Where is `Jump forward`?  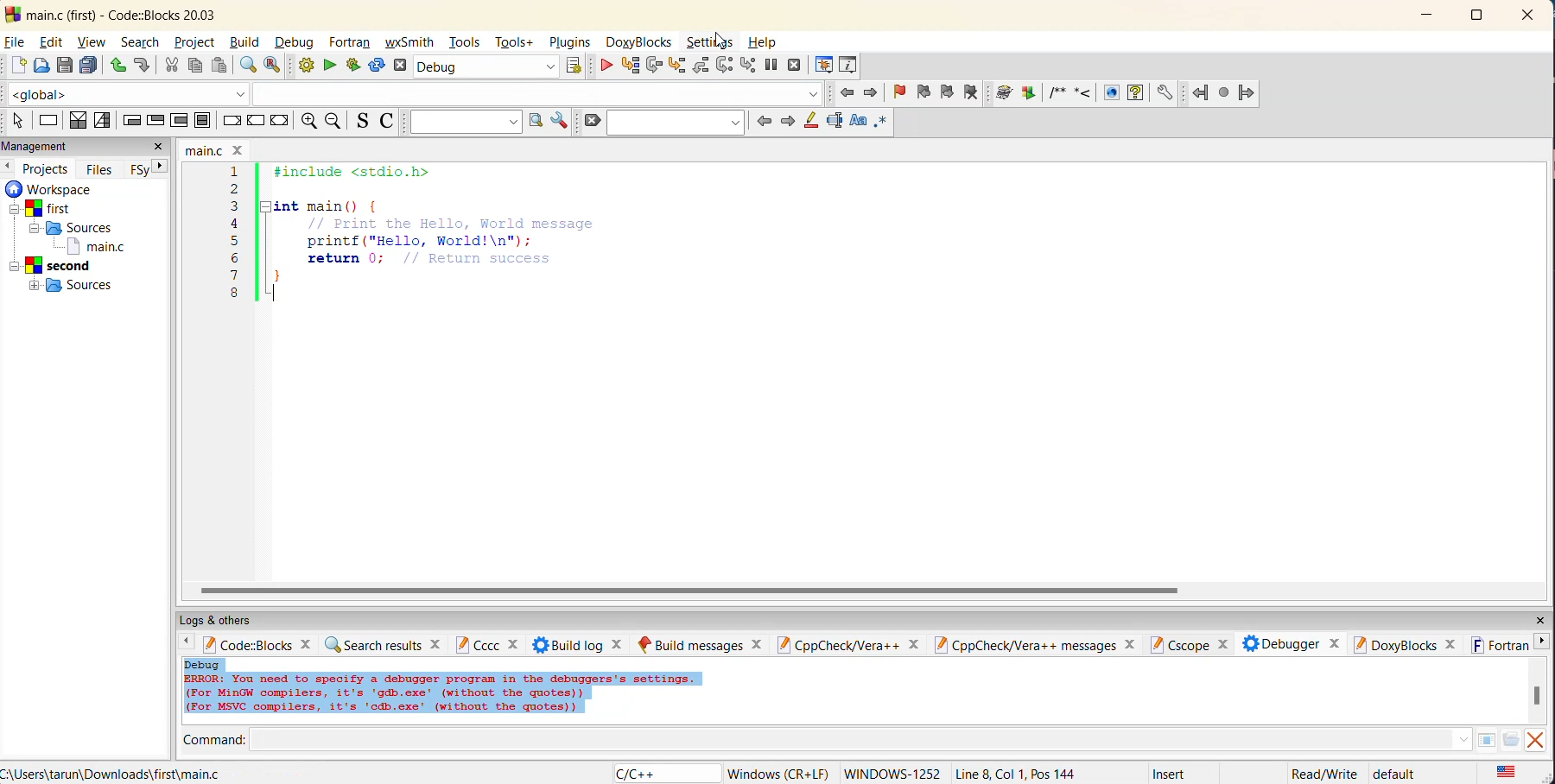 Jump forward is located at coordinates (1246, 93).